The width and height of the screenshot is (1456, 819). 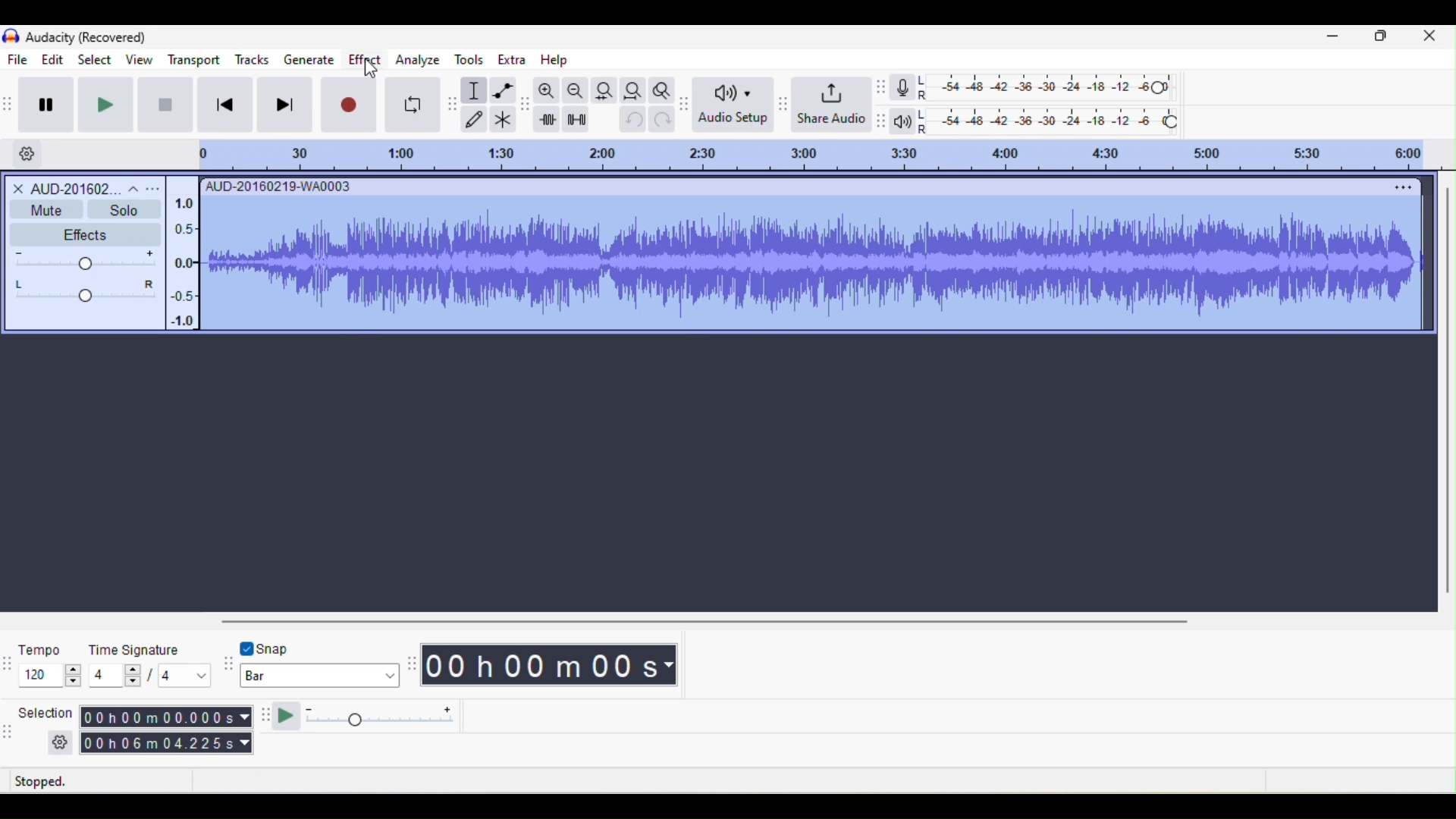 I want to click on 00 h 00 m 00.000 s, so click(x=166, y=717).